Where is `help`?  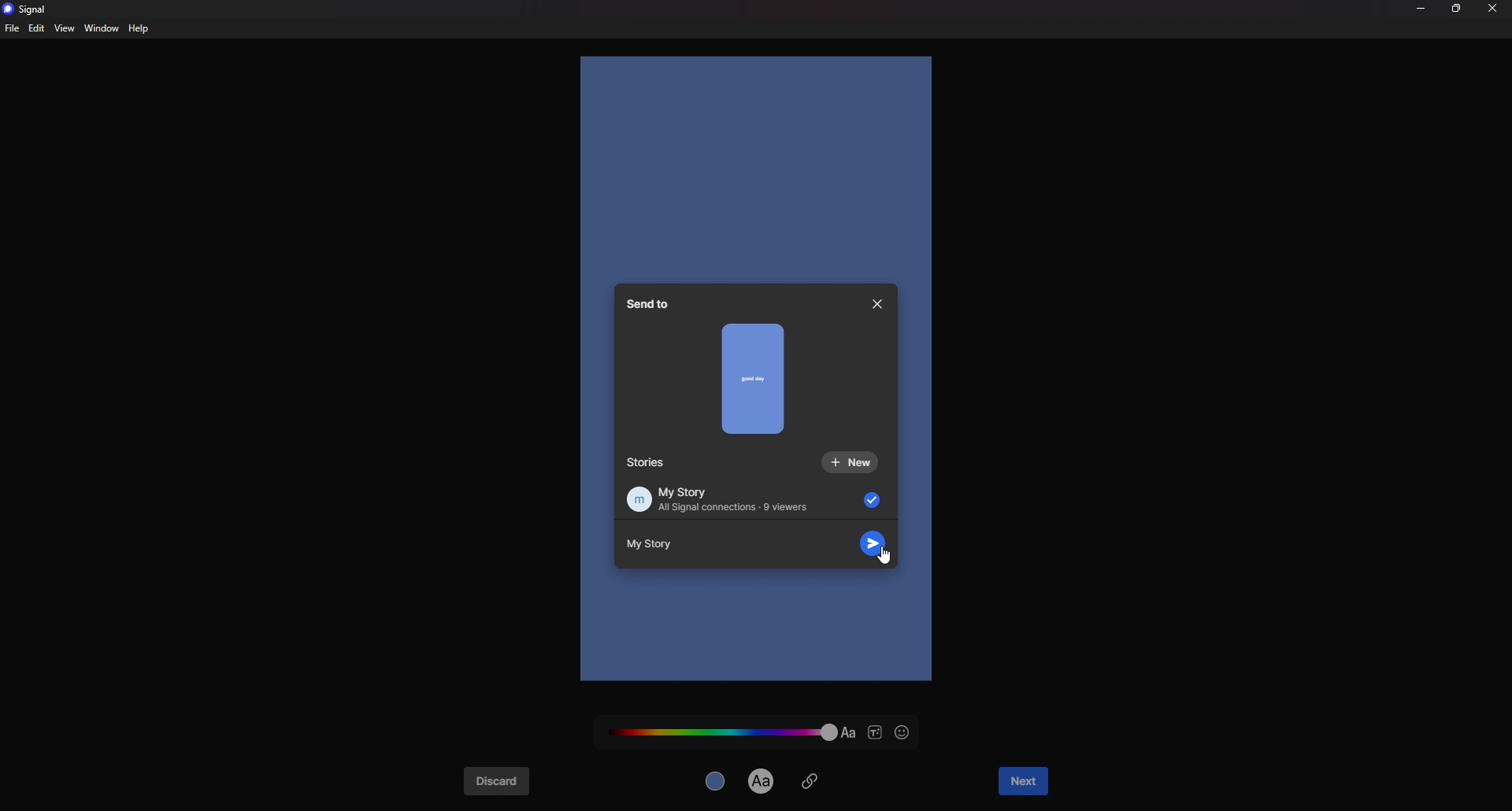
help is located at coordinates (140, 28).